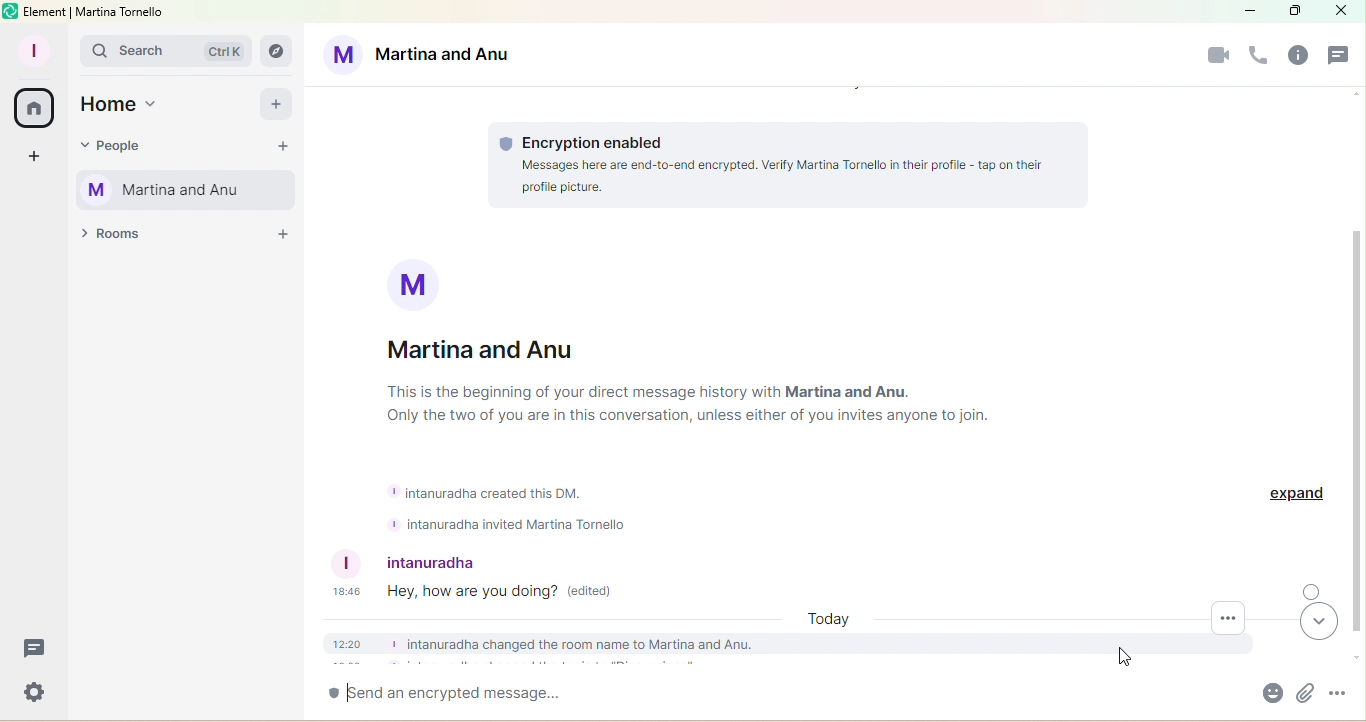 The width and height of the screenshot is (1366, 722). Describe the element at coordinates (439, 562) in the screenshot. I see `Intanuradha` at that location.